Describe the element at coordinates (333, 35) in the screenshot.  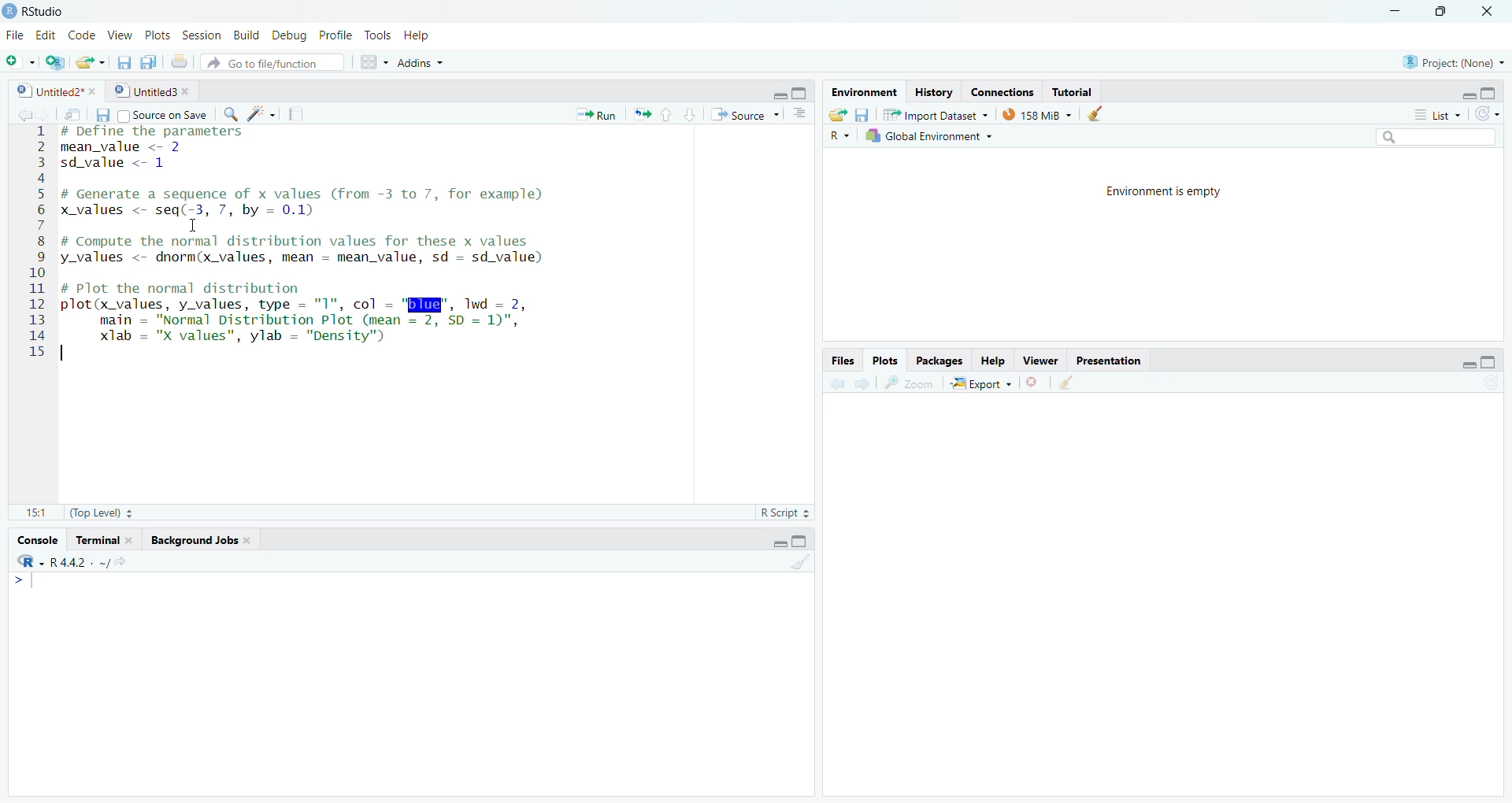
I see `Profile` at that location.